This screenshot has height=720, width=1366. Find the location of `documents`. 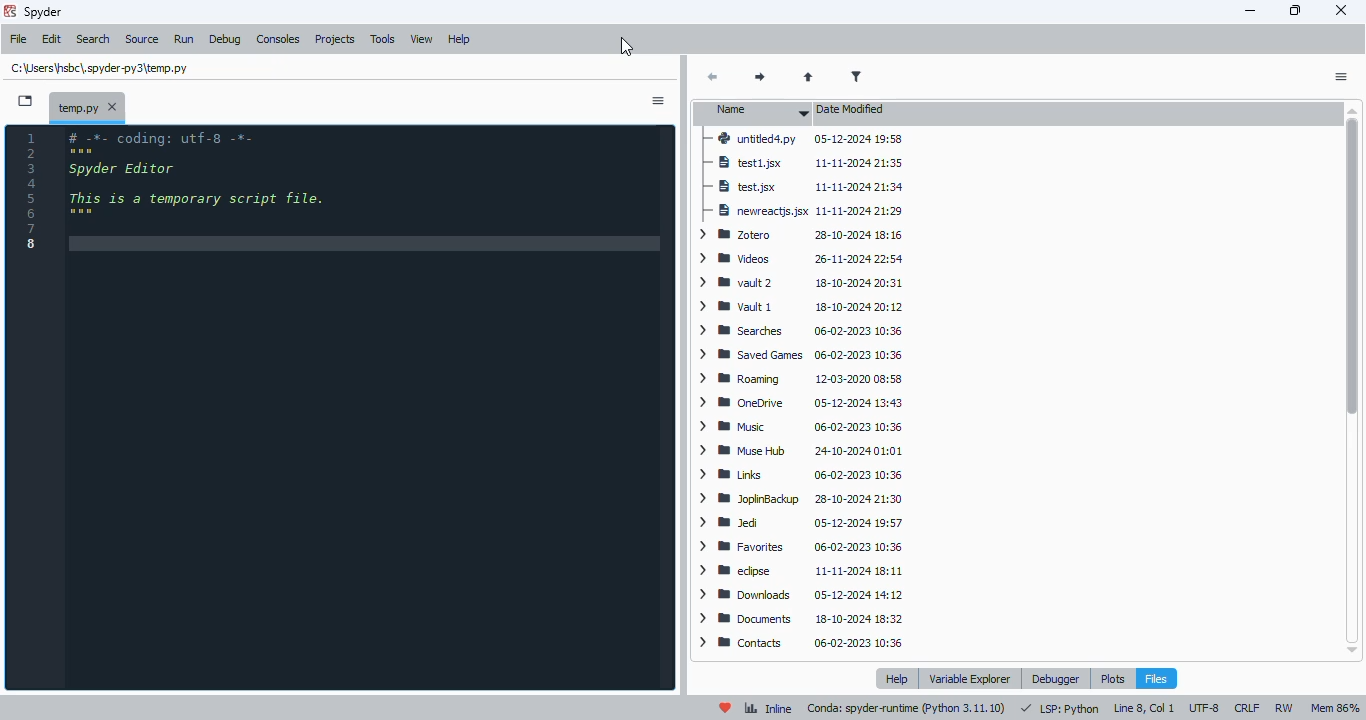

documents is located at coordinates (800, 619).